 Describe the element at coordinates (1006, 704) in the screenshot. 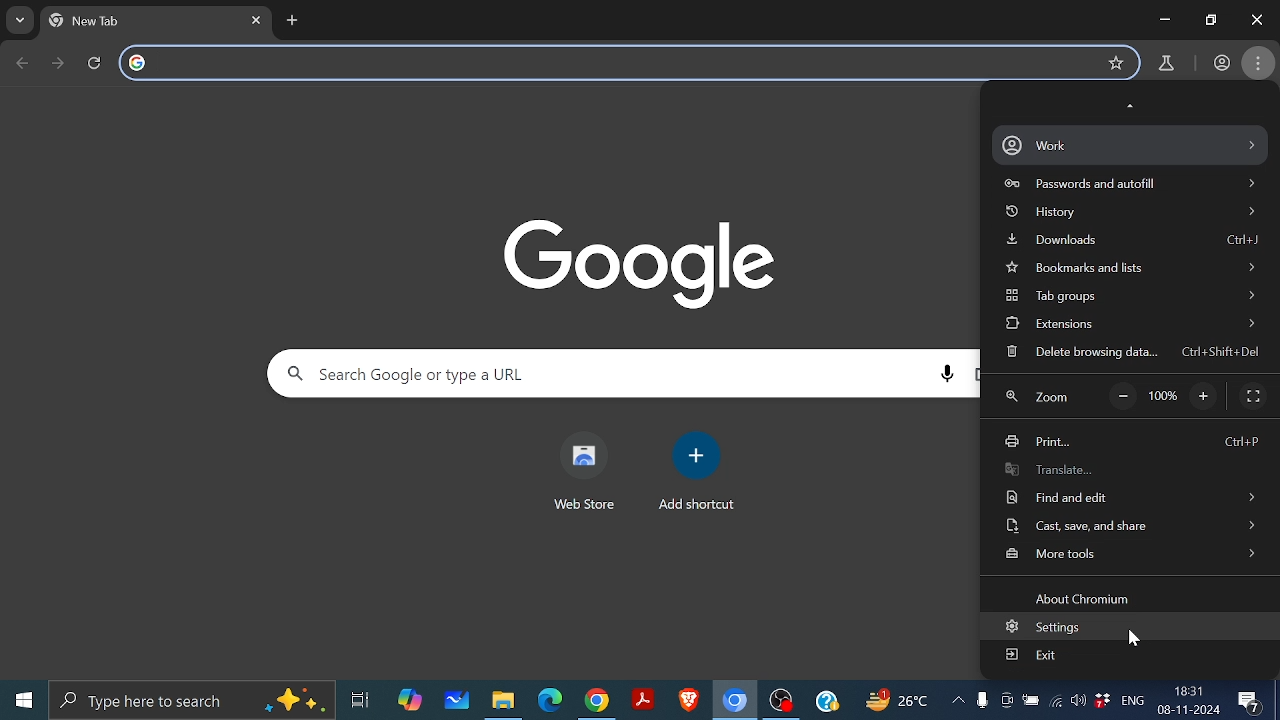

I see `meet` at that location.